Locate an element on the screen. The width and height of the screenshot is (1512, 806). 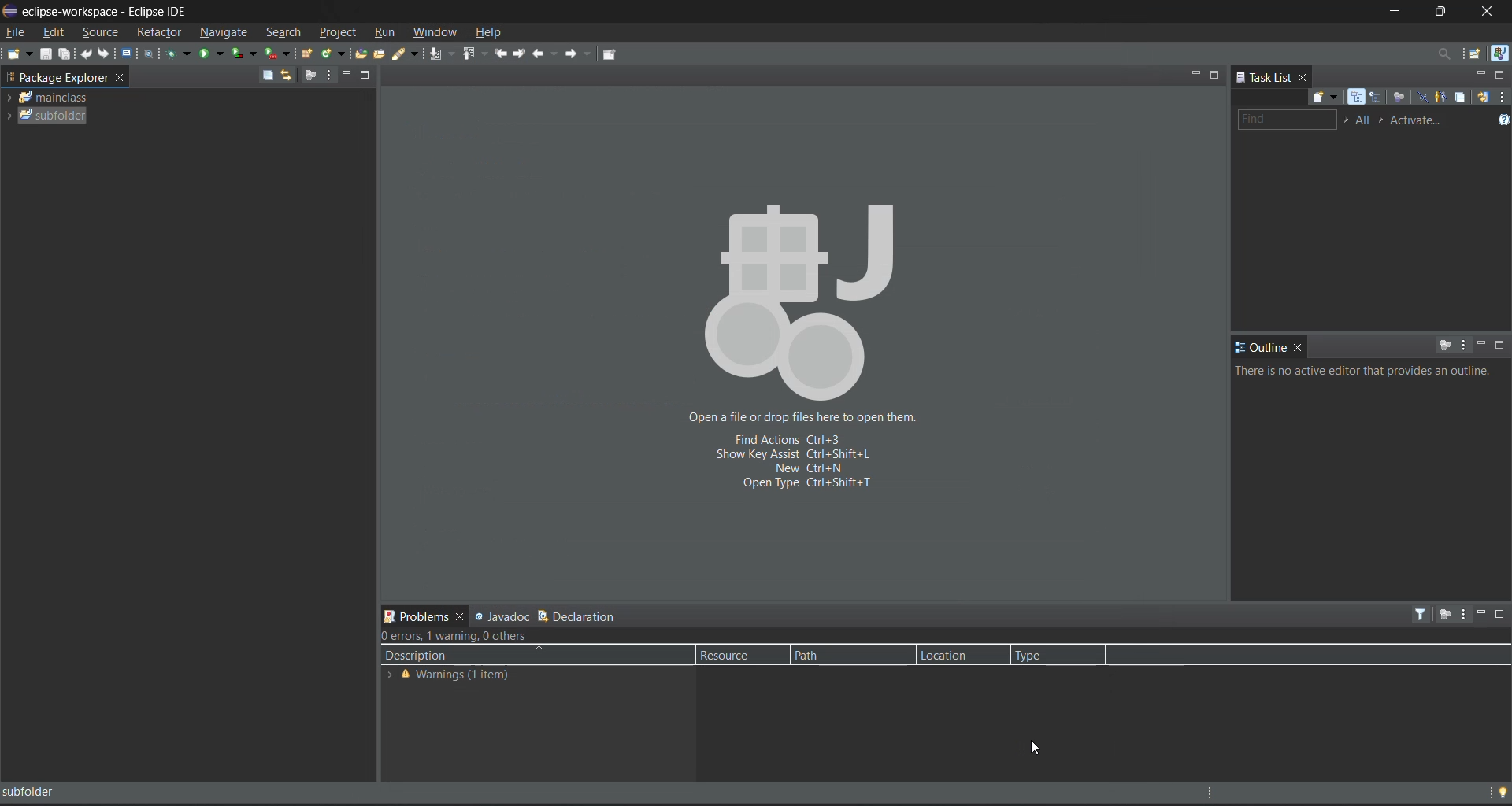
info is located at coordinates (1367, 371).